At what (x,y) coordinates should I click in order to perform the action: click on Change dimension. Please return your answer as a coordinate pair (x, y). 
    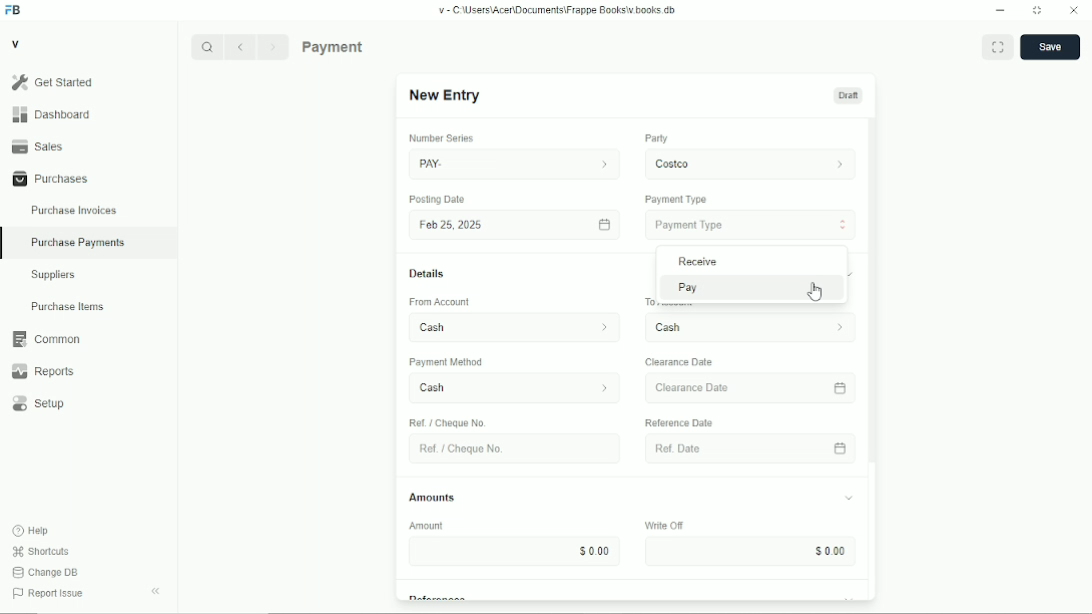
    Looking at the image, I should click on (1037, 10).